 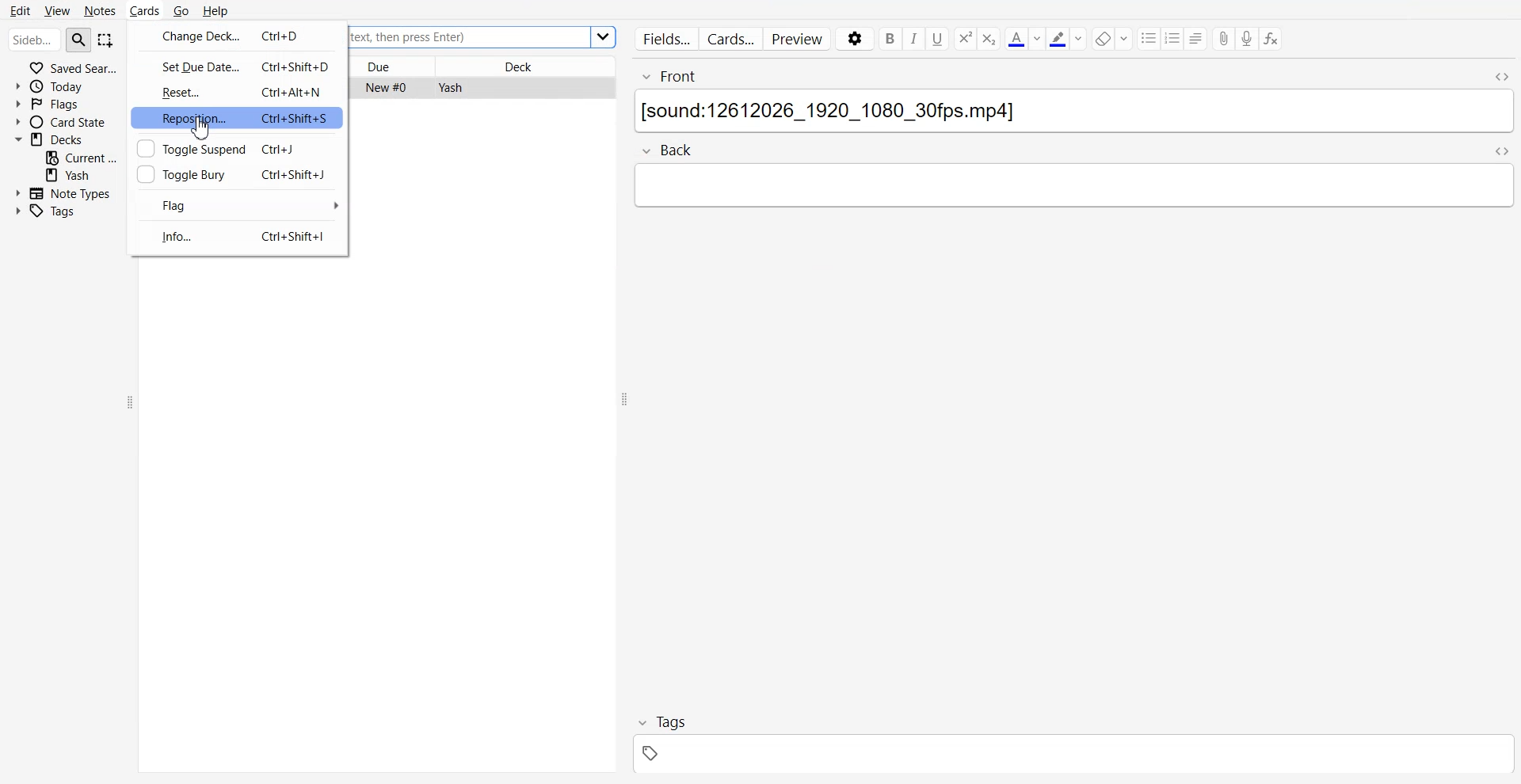 I want to click on Set Due Date, so click(x=182, y=64).